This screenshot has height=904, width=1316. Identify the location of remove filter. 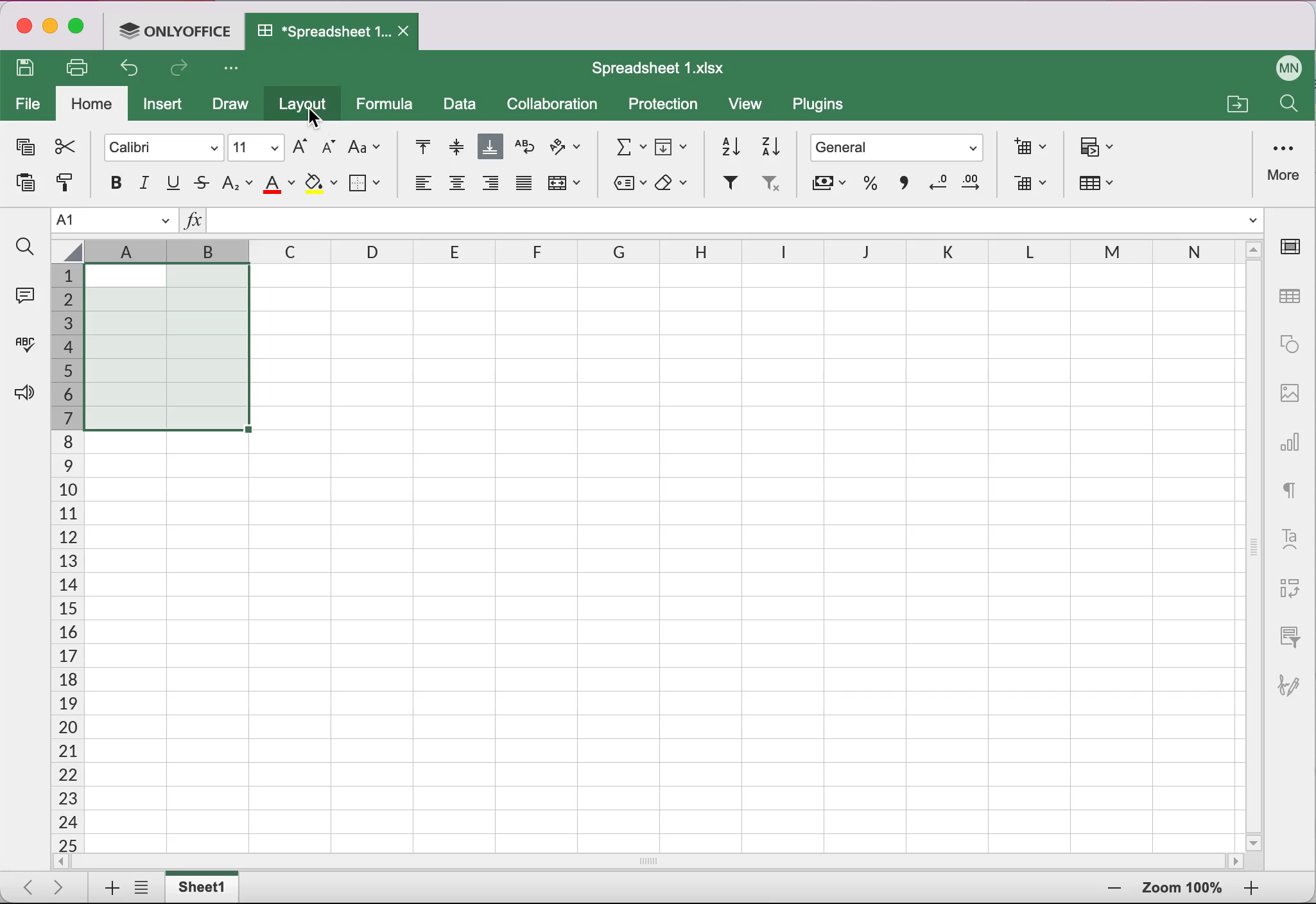
(770, 187).